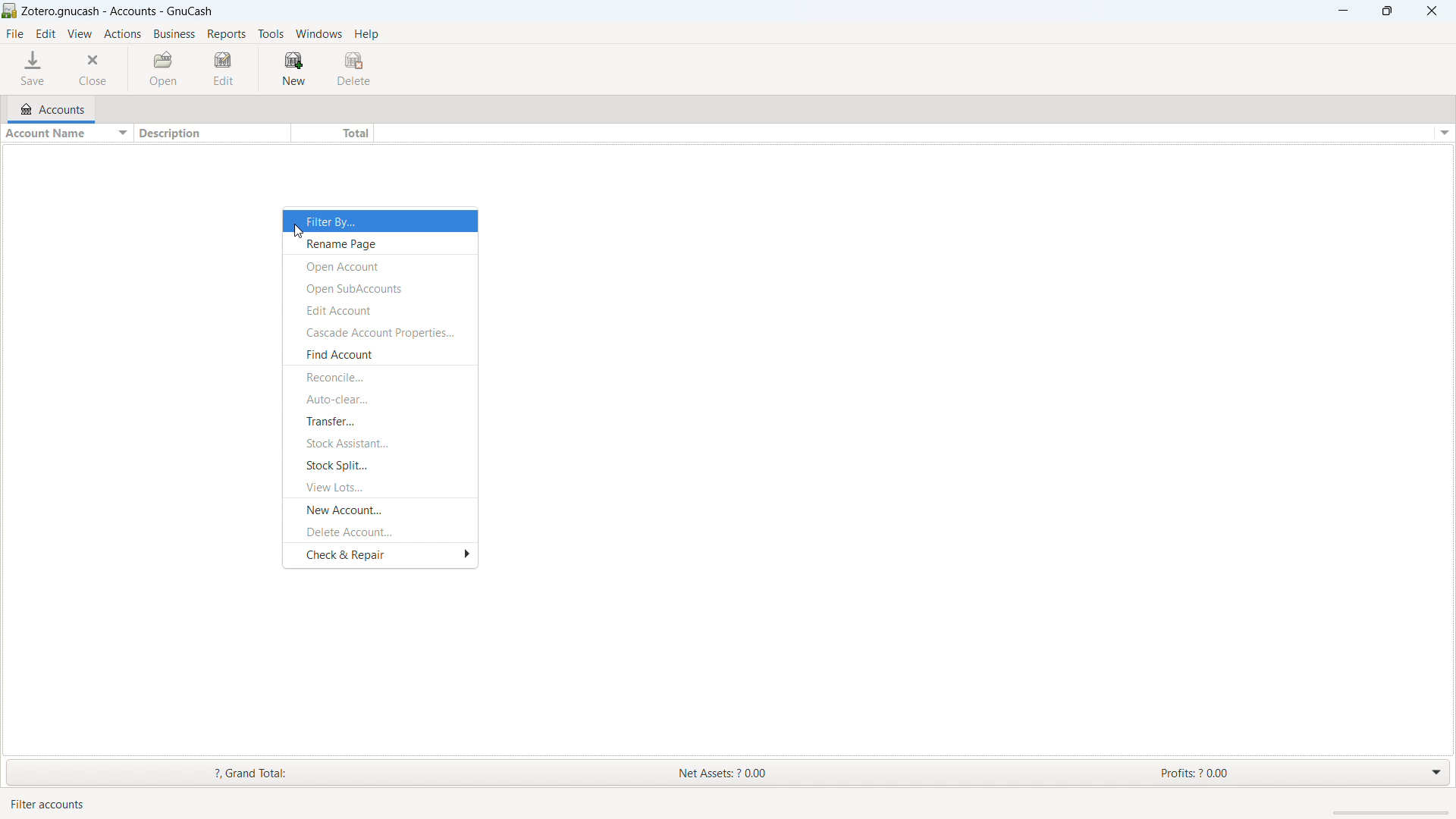 This screenshot has width=1456, height=819. I want to click on Net Assets: ? 0.00, so click(730, 773).